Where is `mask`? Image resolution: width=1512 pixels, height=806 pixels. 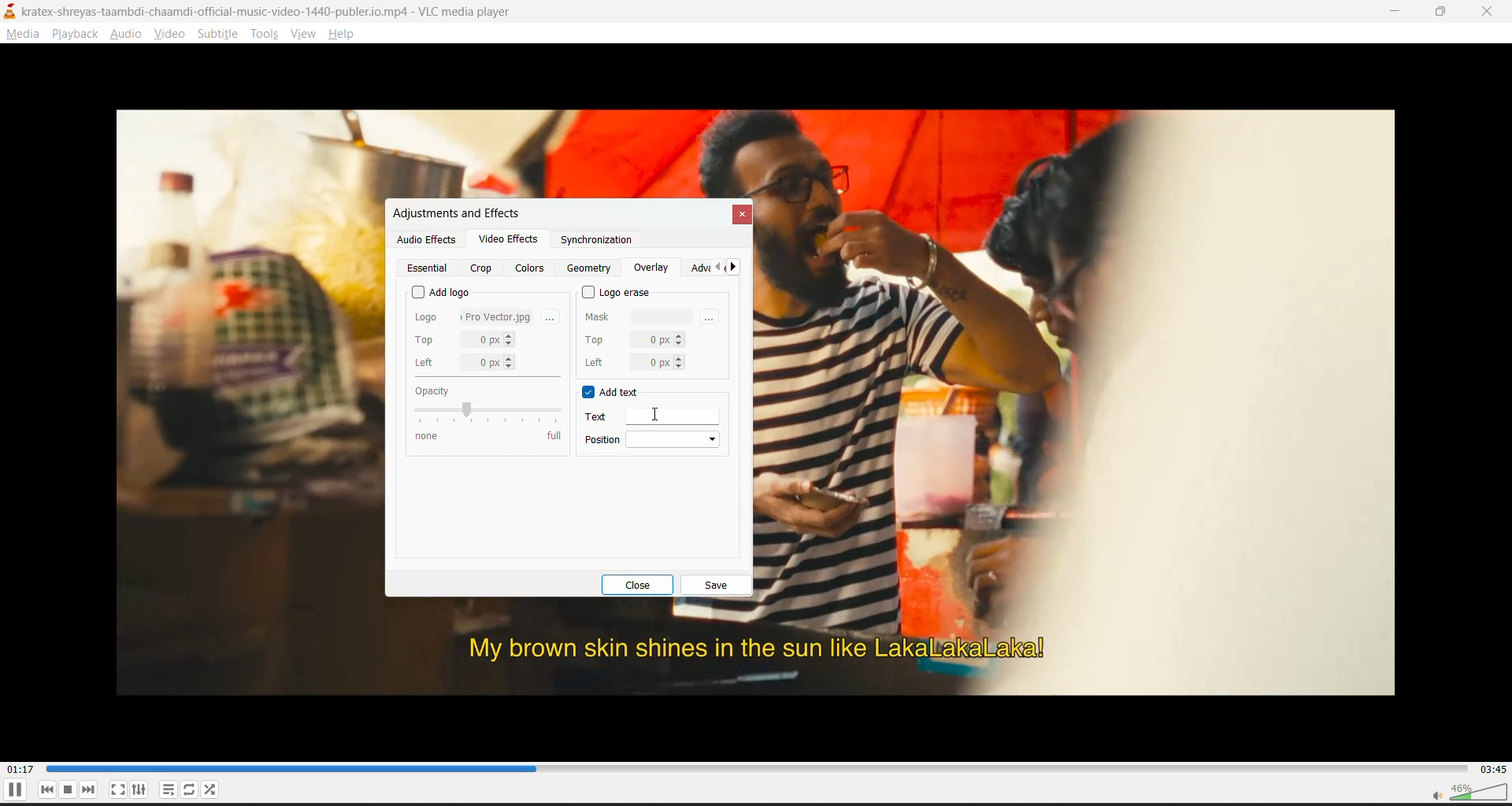 mask is located at coordinates (640, 315).